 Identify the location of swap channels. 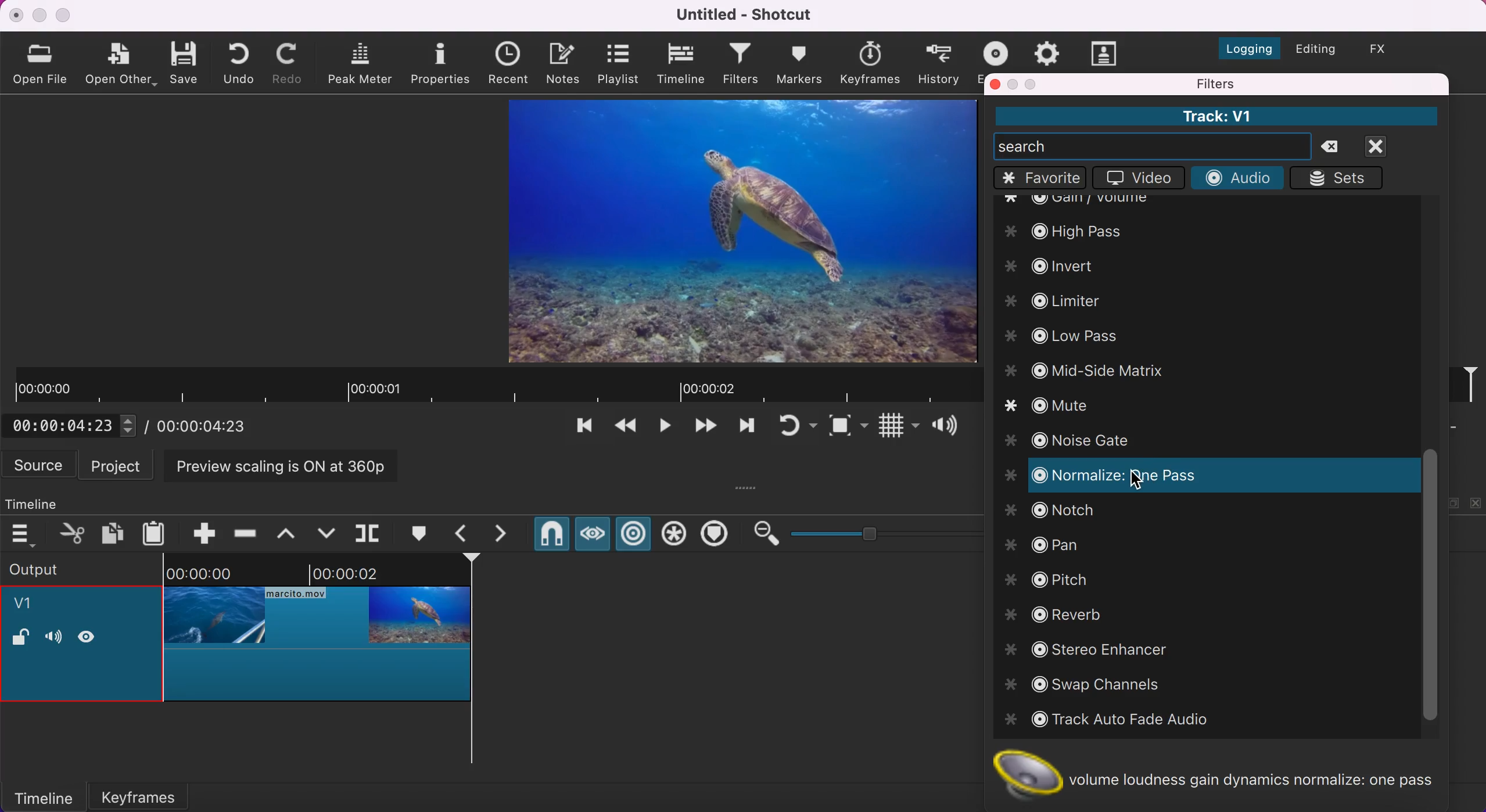
(1097, 685).